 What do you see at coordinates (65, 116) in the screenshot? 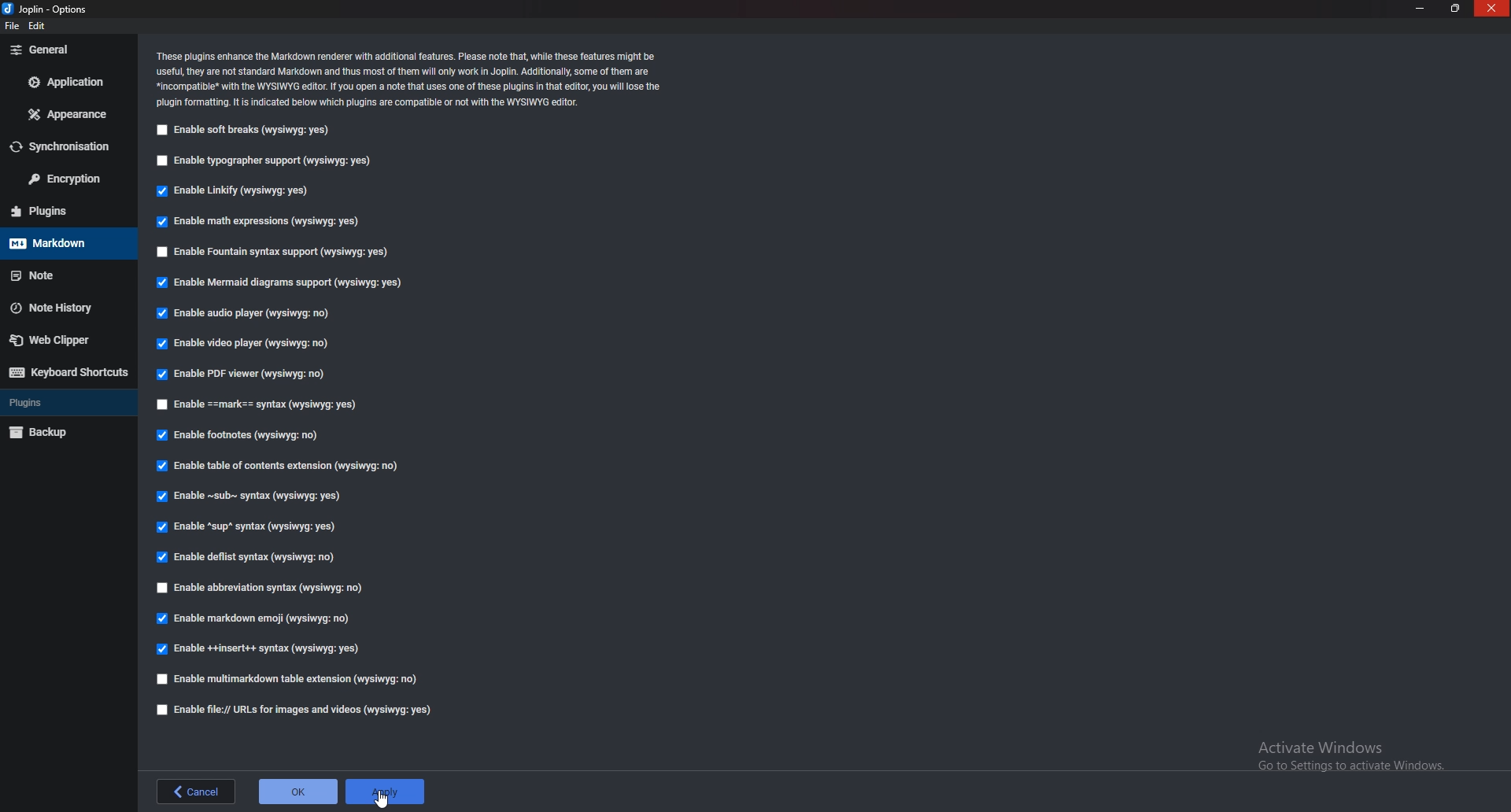
I see `Appearance` at bounding box center [65, 116].